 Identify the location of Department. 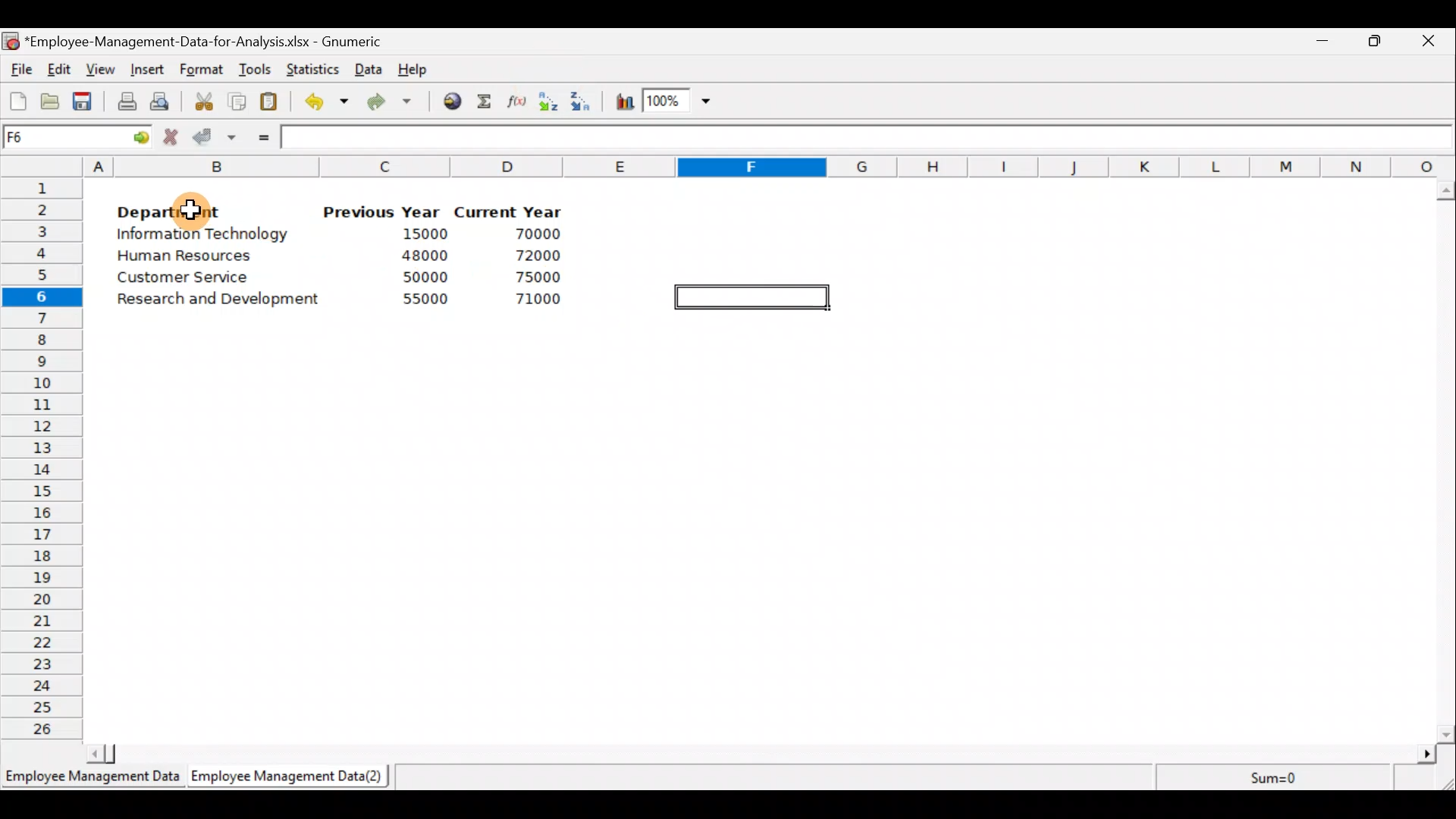
(167, 208).